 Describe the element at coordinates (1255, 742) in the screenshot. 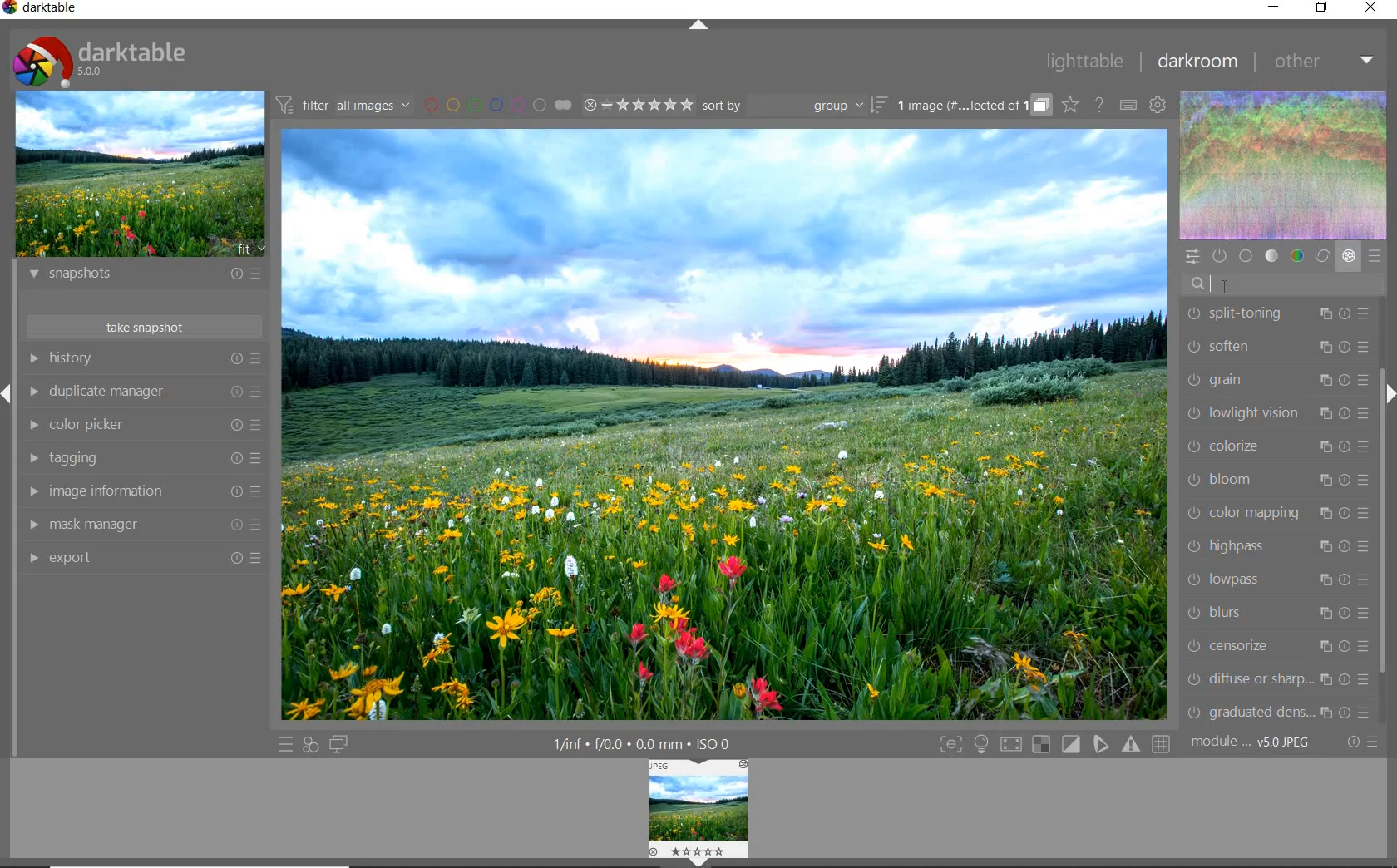

I see `module..v50JPEG` at that location.